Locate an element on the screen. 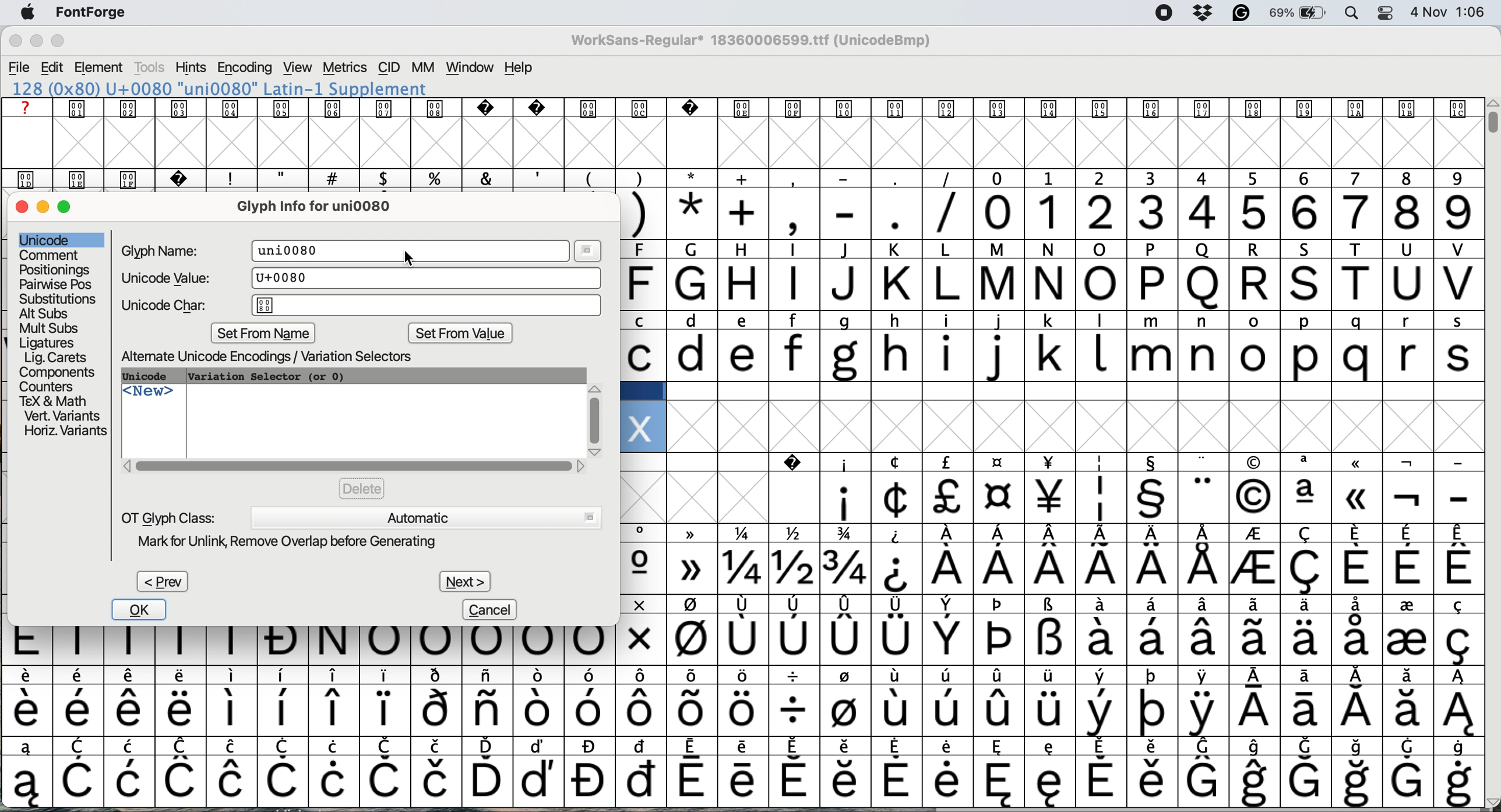  horizontal variants is located at coordinates (64, 432).